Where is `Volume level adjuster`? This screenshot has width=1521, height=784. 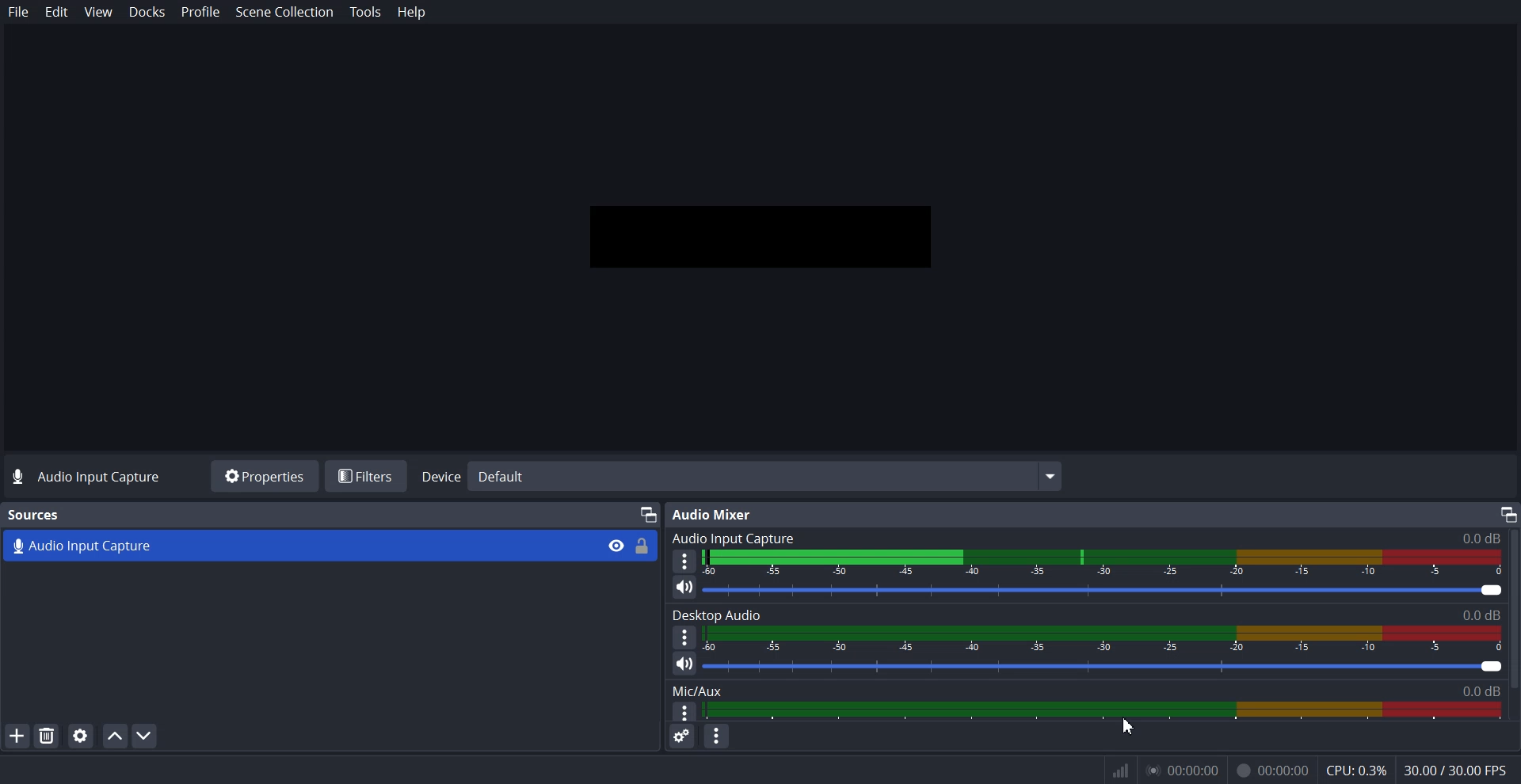 Volume level adjuster is located at coordinates (1111, 591).